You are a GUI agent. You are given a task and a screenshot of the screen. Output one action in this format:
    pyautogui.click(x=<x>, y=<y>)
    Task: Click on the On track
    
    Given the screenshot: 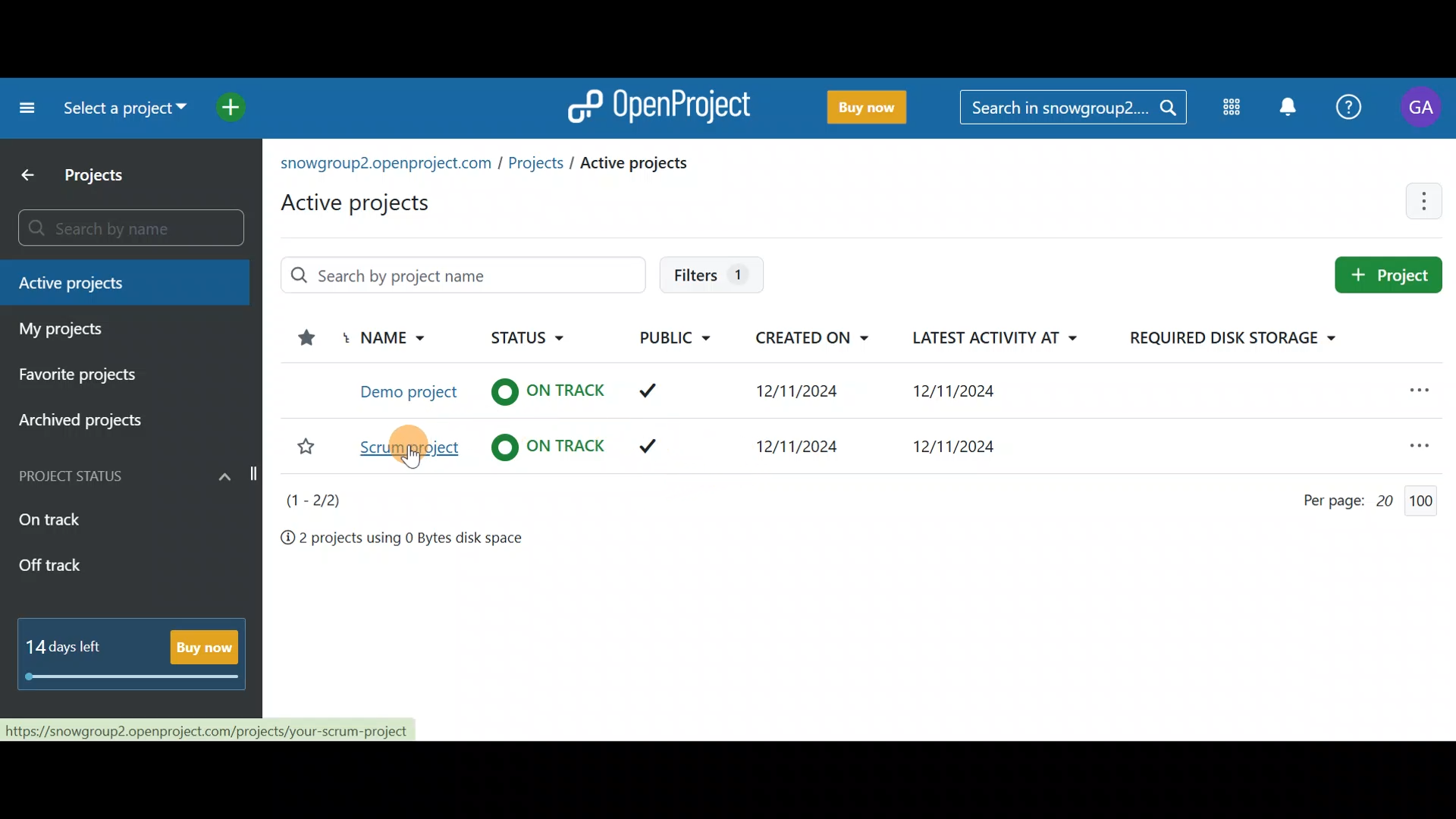 What is the action you would take?
    pyautogui.click(x=99, y=520)
    